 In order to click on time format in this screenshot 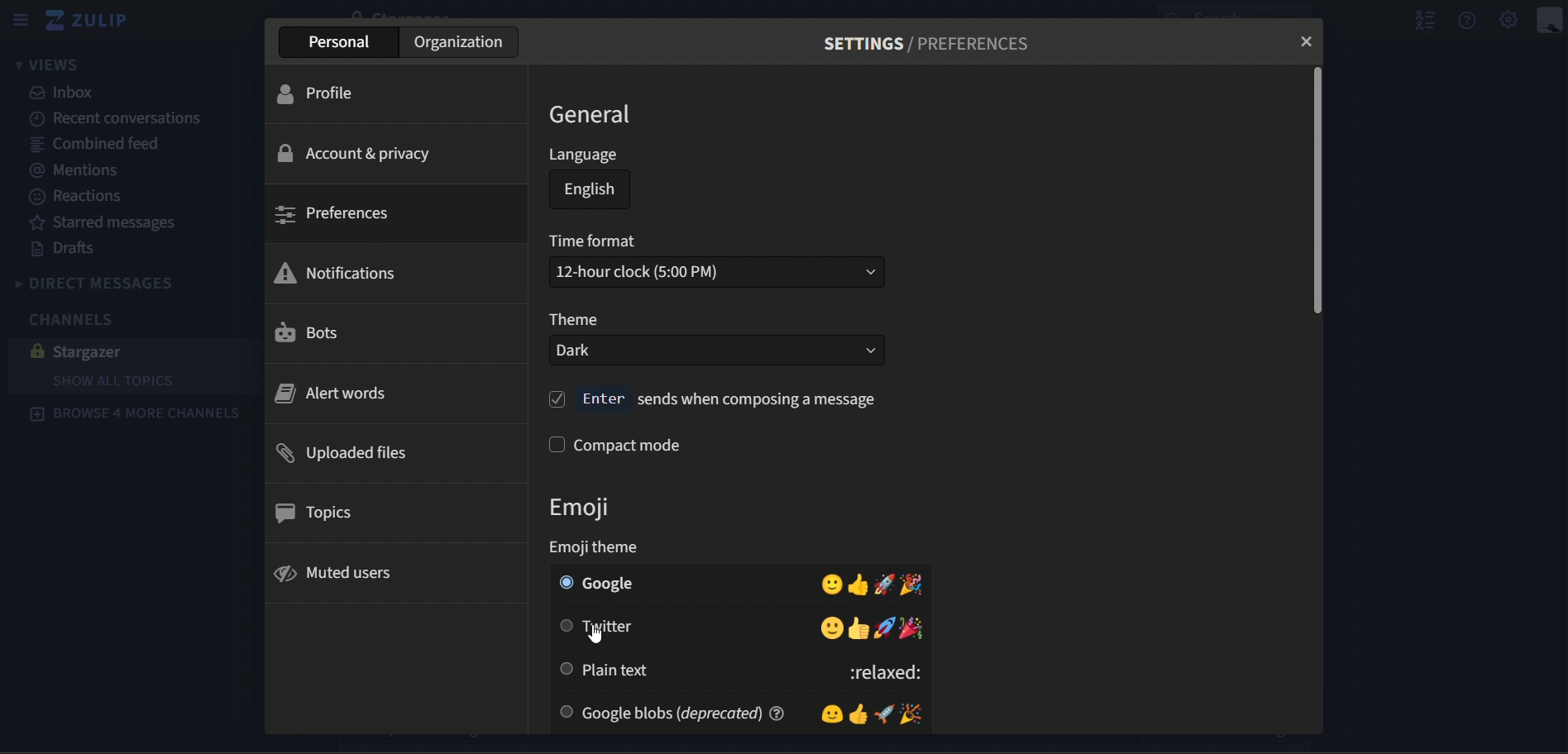, I will do `click(595, 243)`.